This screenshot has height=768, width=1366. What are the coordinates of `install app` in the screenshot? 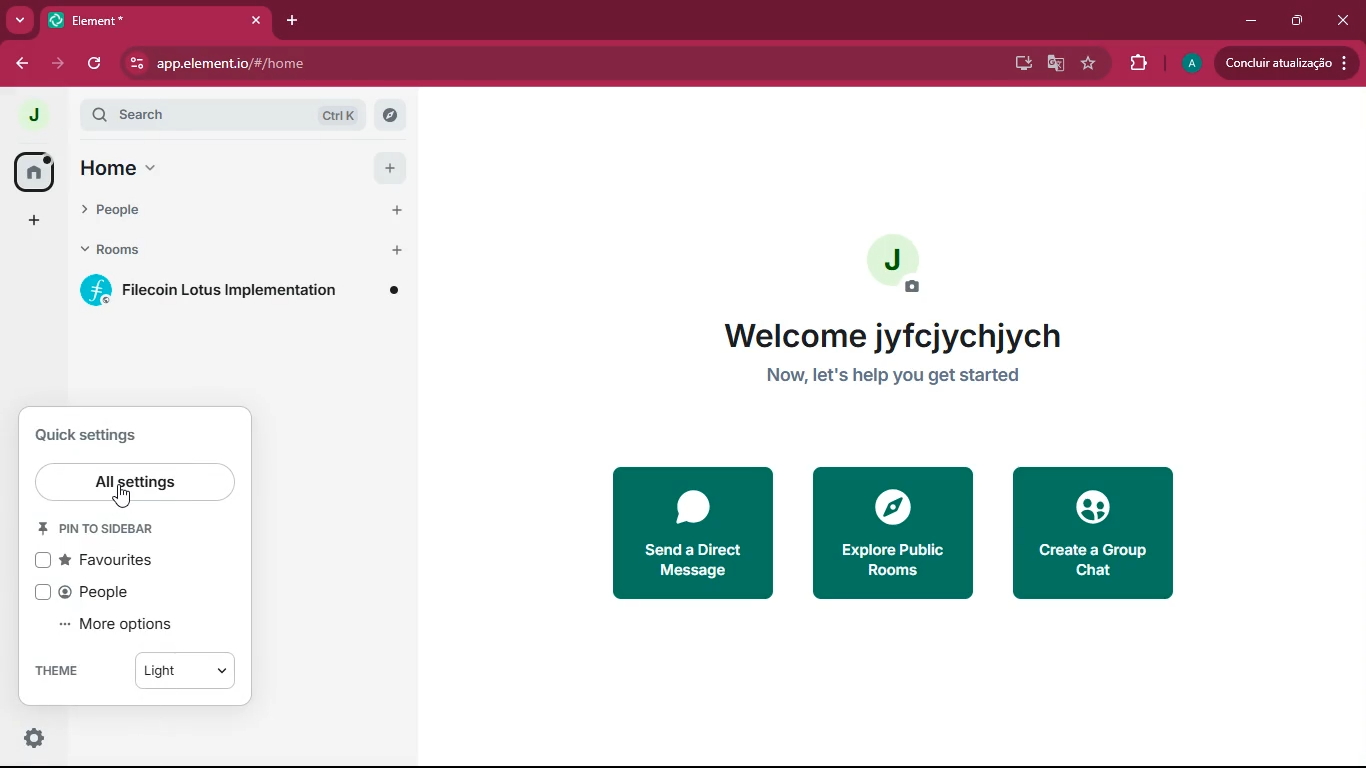 It's located at (1016, 61).